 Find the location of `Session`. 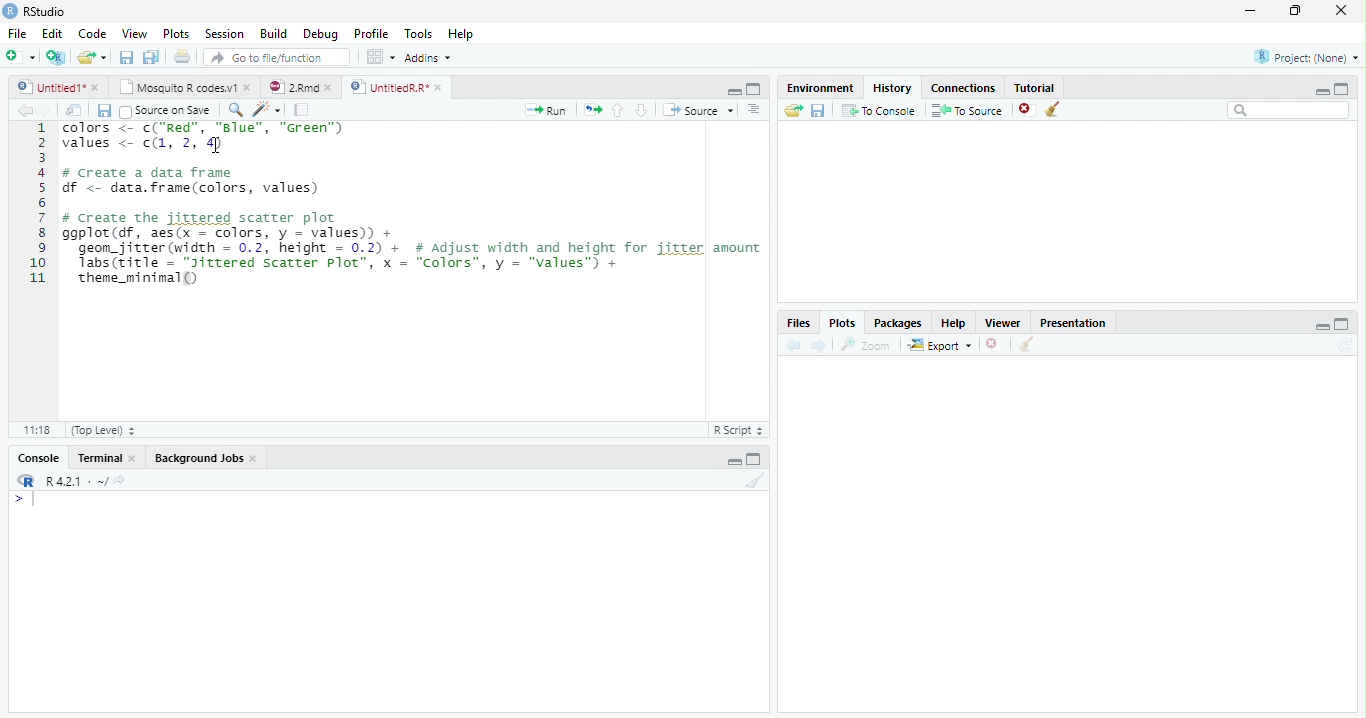

Session is located at coordinates (224, 33).